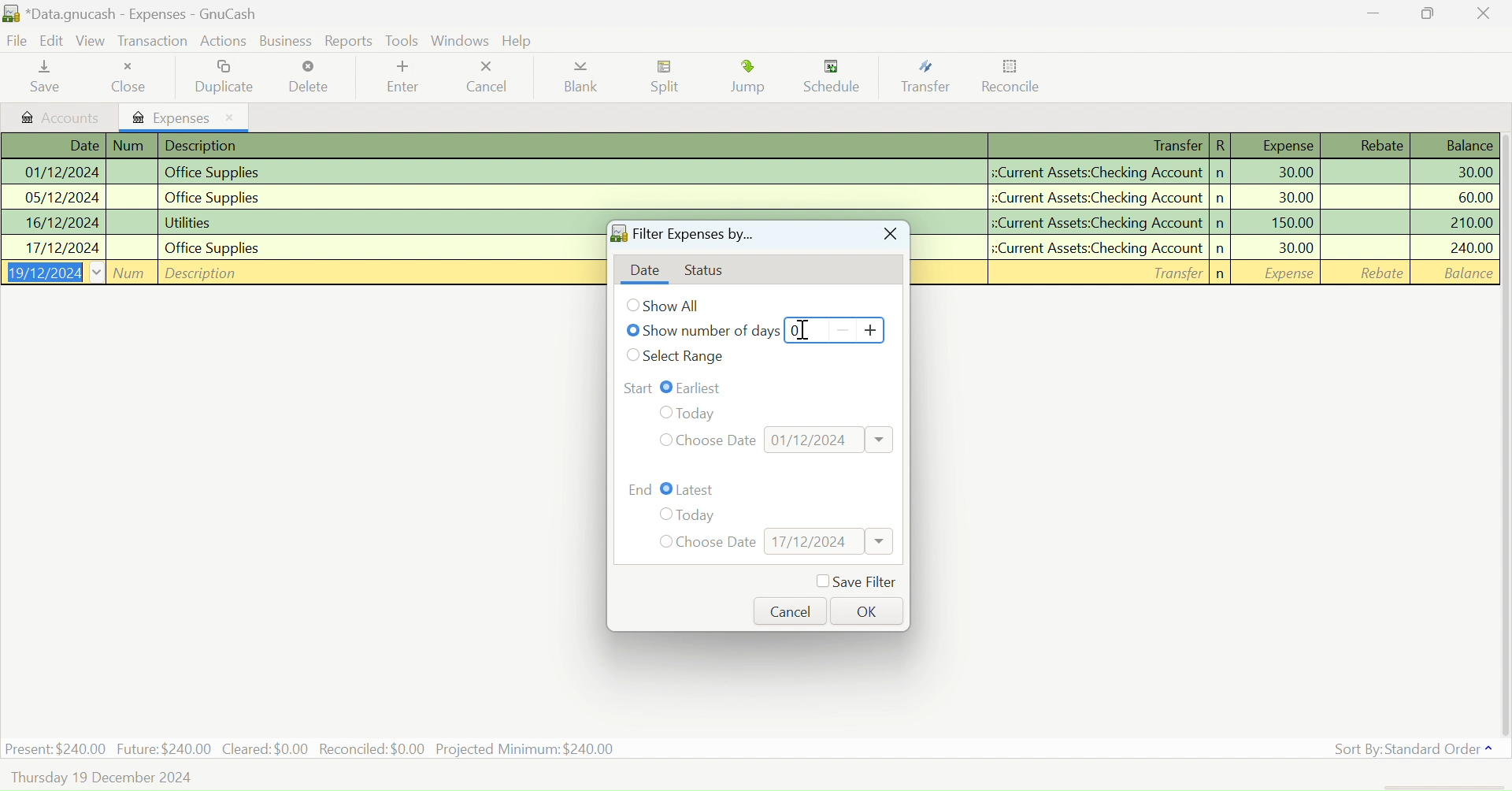 The height and width of the screenshot is (791, 1512). I want to click on Duplicate, so click(228, 76).